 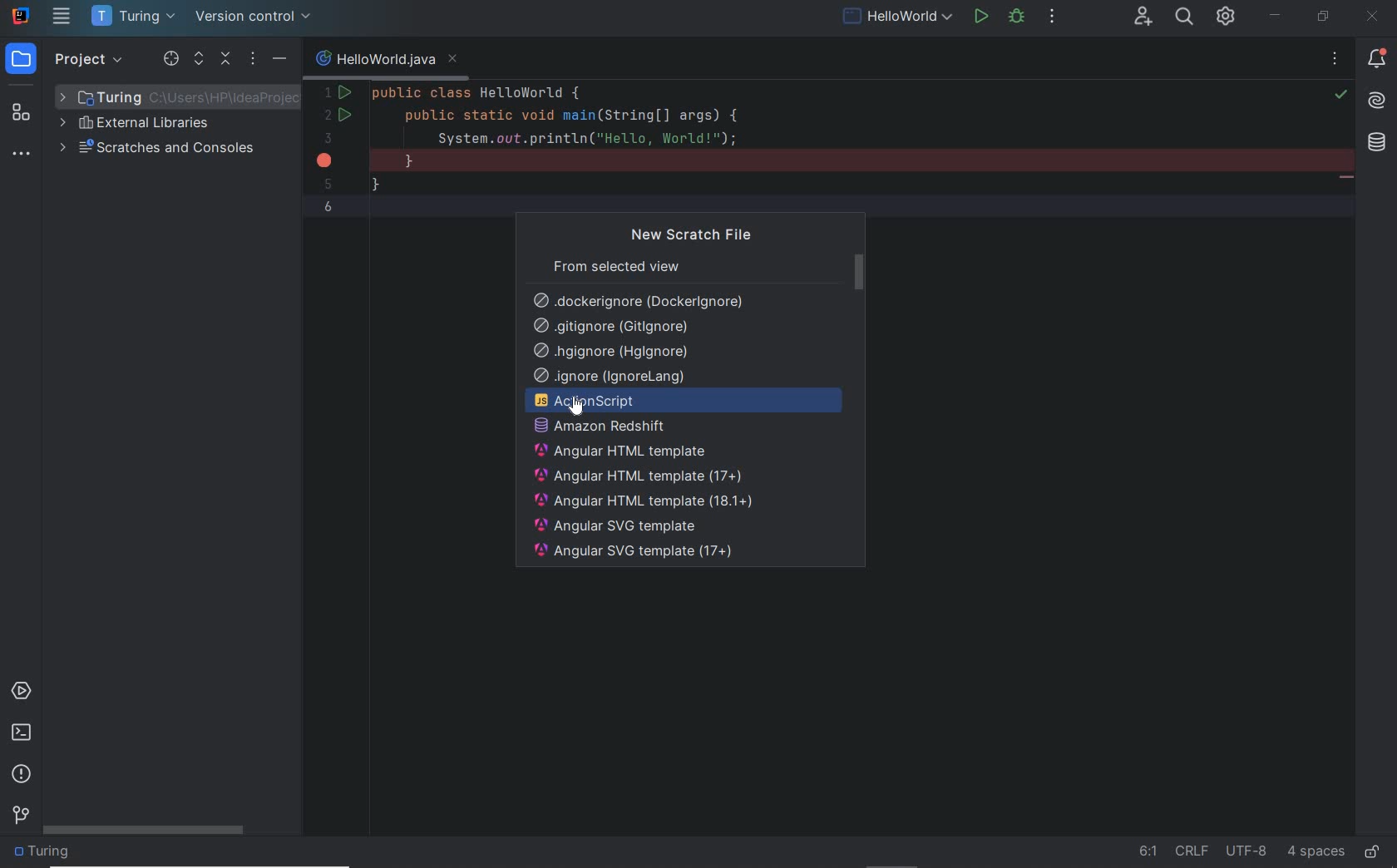 I want to click on CLOSE, so click(x=1375, y=16).